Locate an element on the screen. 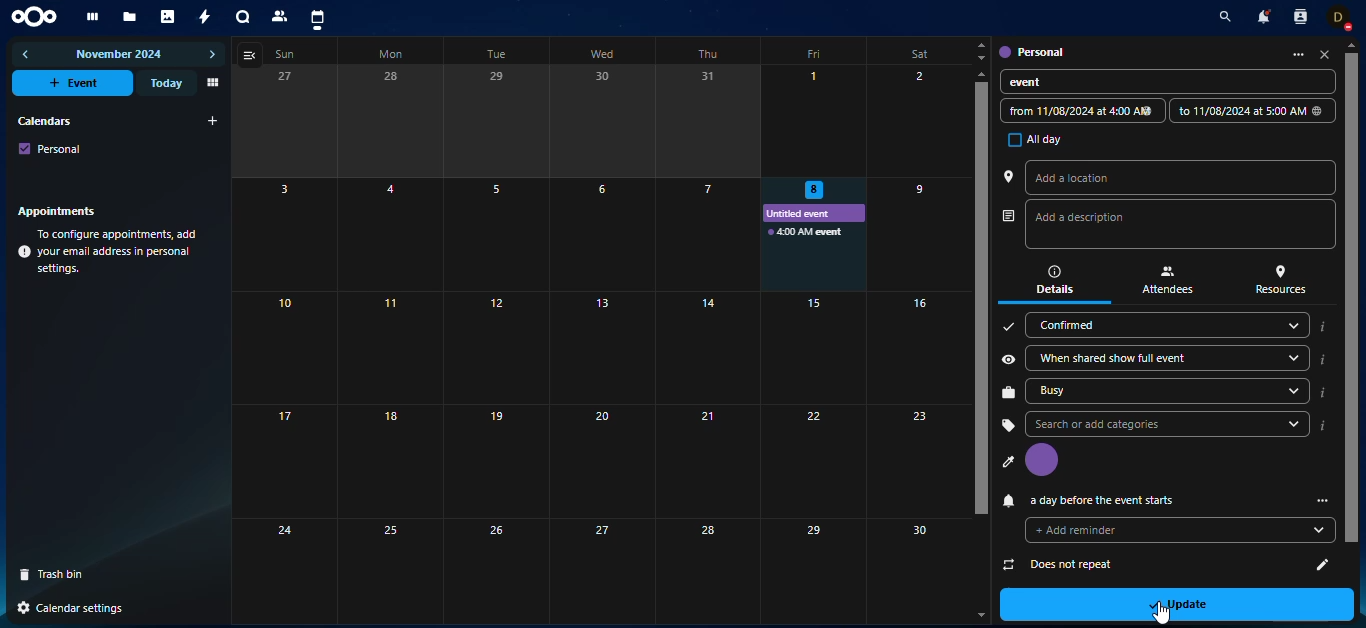  thu is located at coordinates (706, 54).